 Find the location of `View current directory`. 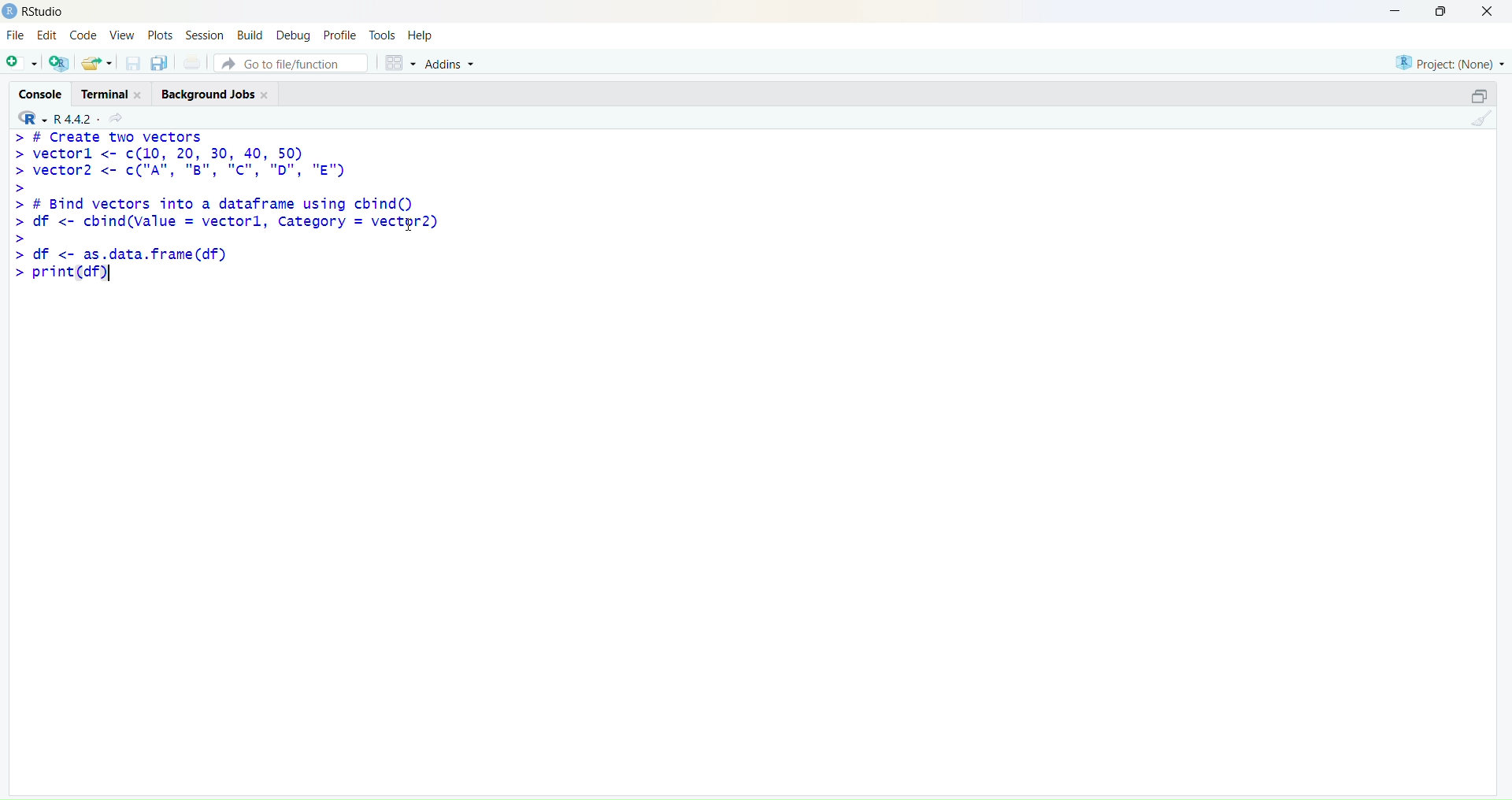

View current directory is located at coordinates (118, 119).